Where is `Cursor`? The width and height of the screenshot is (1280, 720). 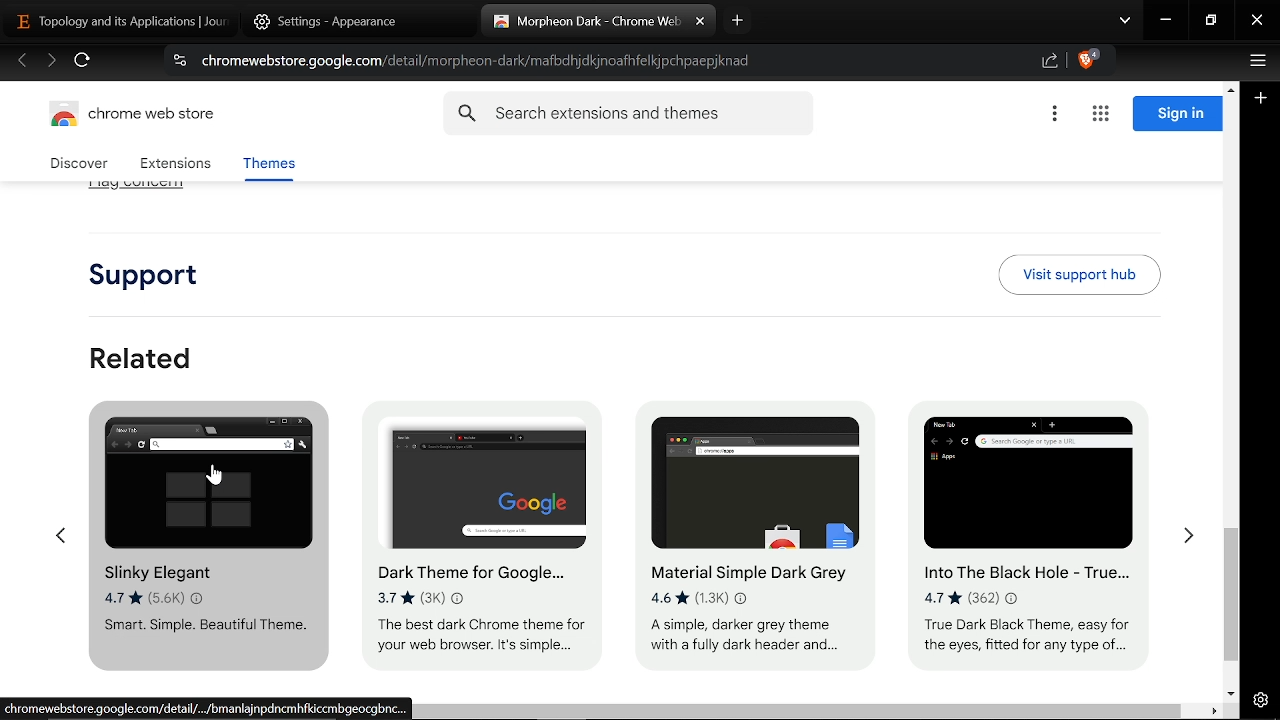 Cursor is located at coordinates (214, 481).